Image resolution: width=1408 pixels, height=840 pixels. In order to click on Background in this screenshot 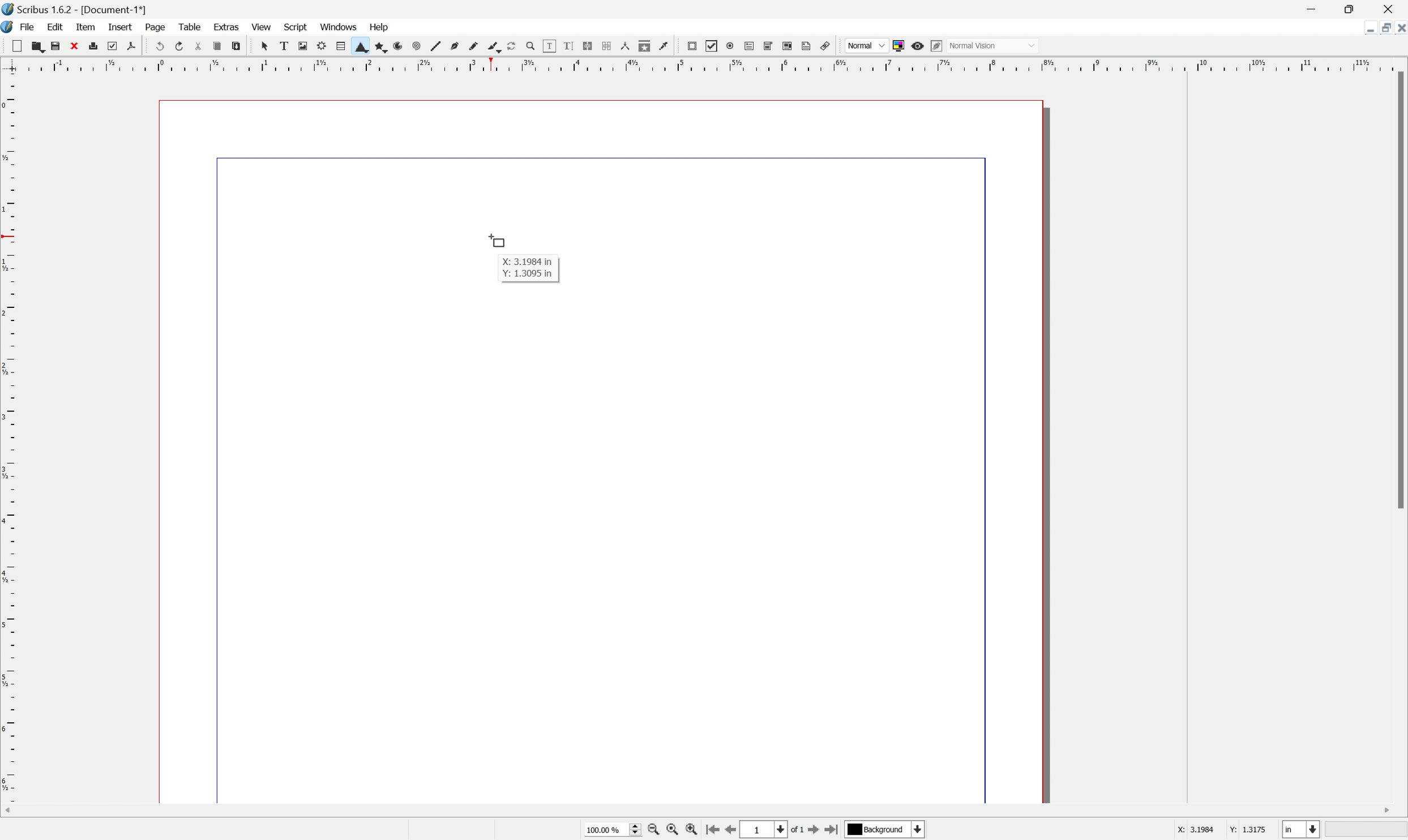, I will do `click(878, 829)`.